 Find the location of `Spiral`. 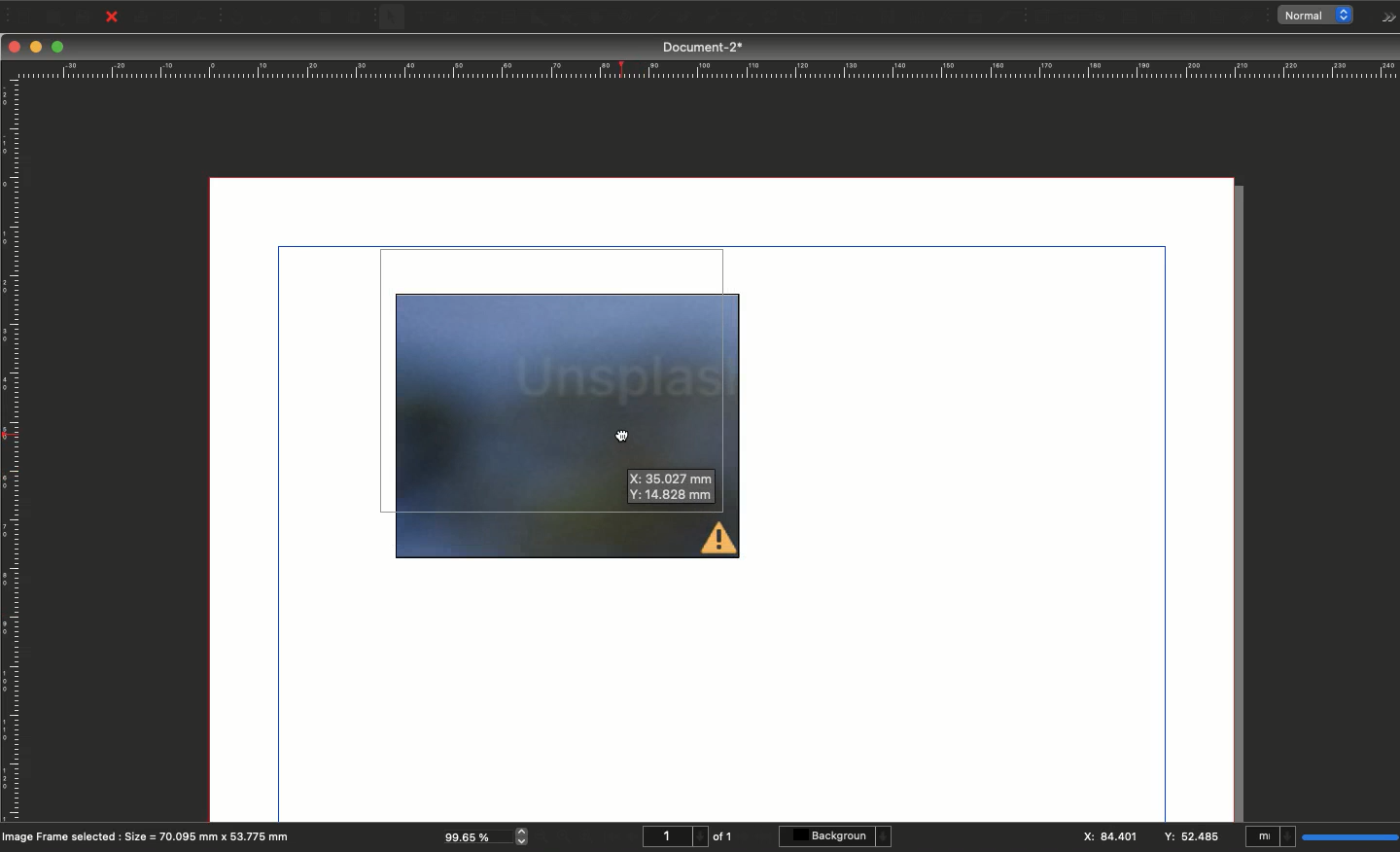

Spiral is located at coordinates (628, 19).